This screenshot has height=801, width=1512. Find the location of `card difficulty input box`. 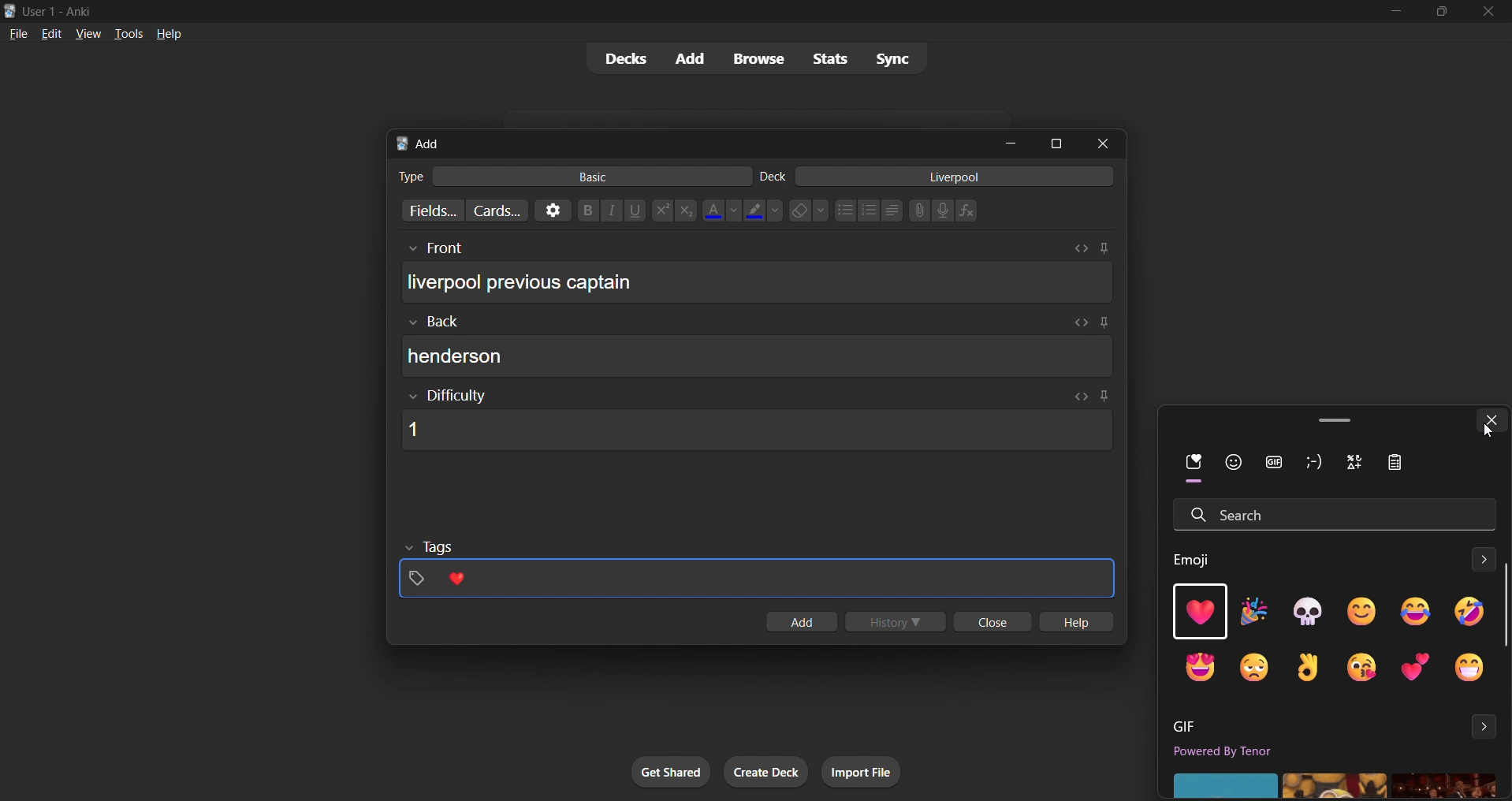

card difficulty input box is located at coordinates (753, 420).